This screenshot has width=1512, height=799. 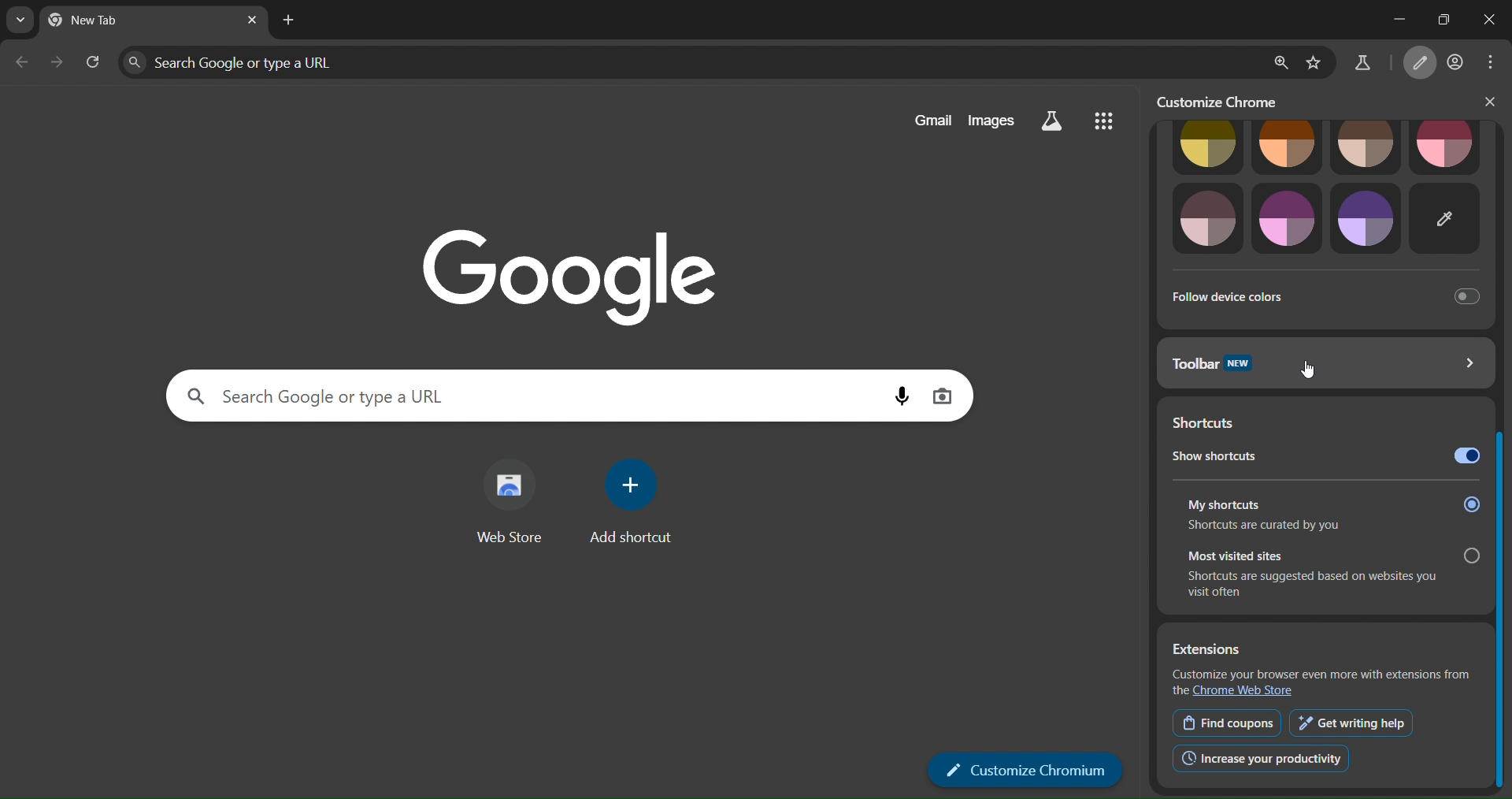 I want to click on theme, so click(x=1291, y=146).